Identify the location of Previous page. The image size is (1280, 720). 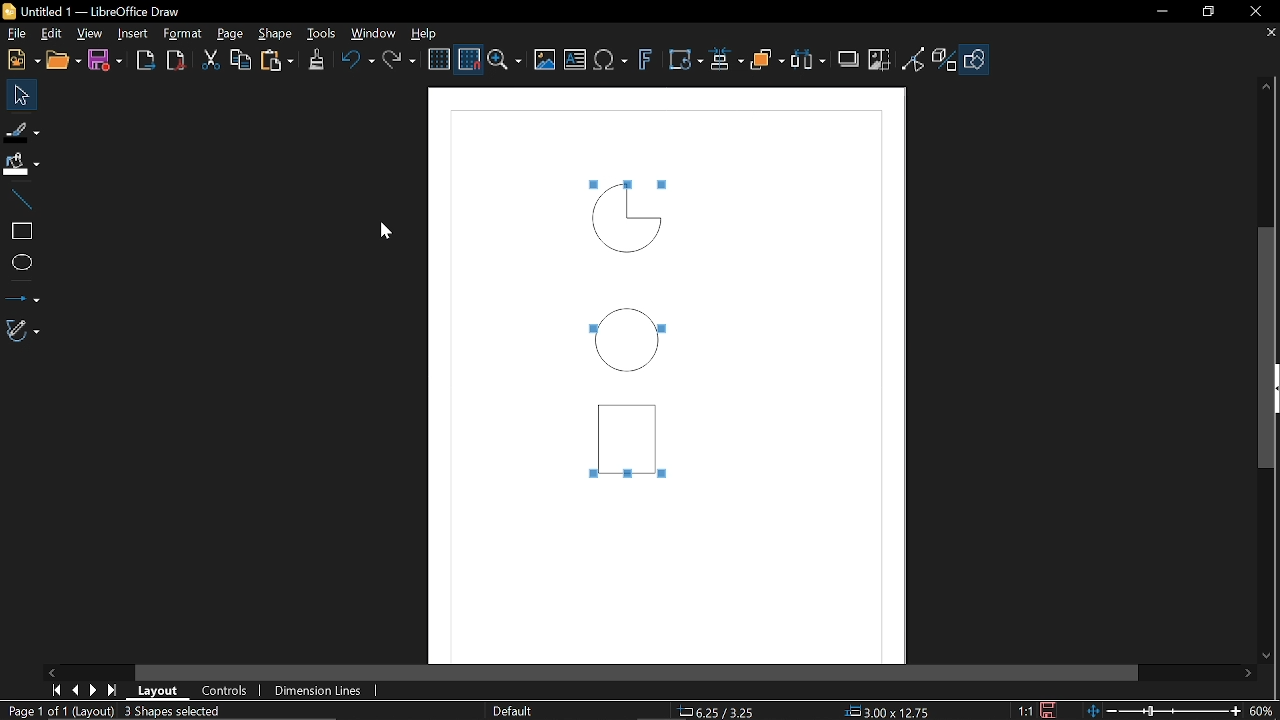
(75, 690).